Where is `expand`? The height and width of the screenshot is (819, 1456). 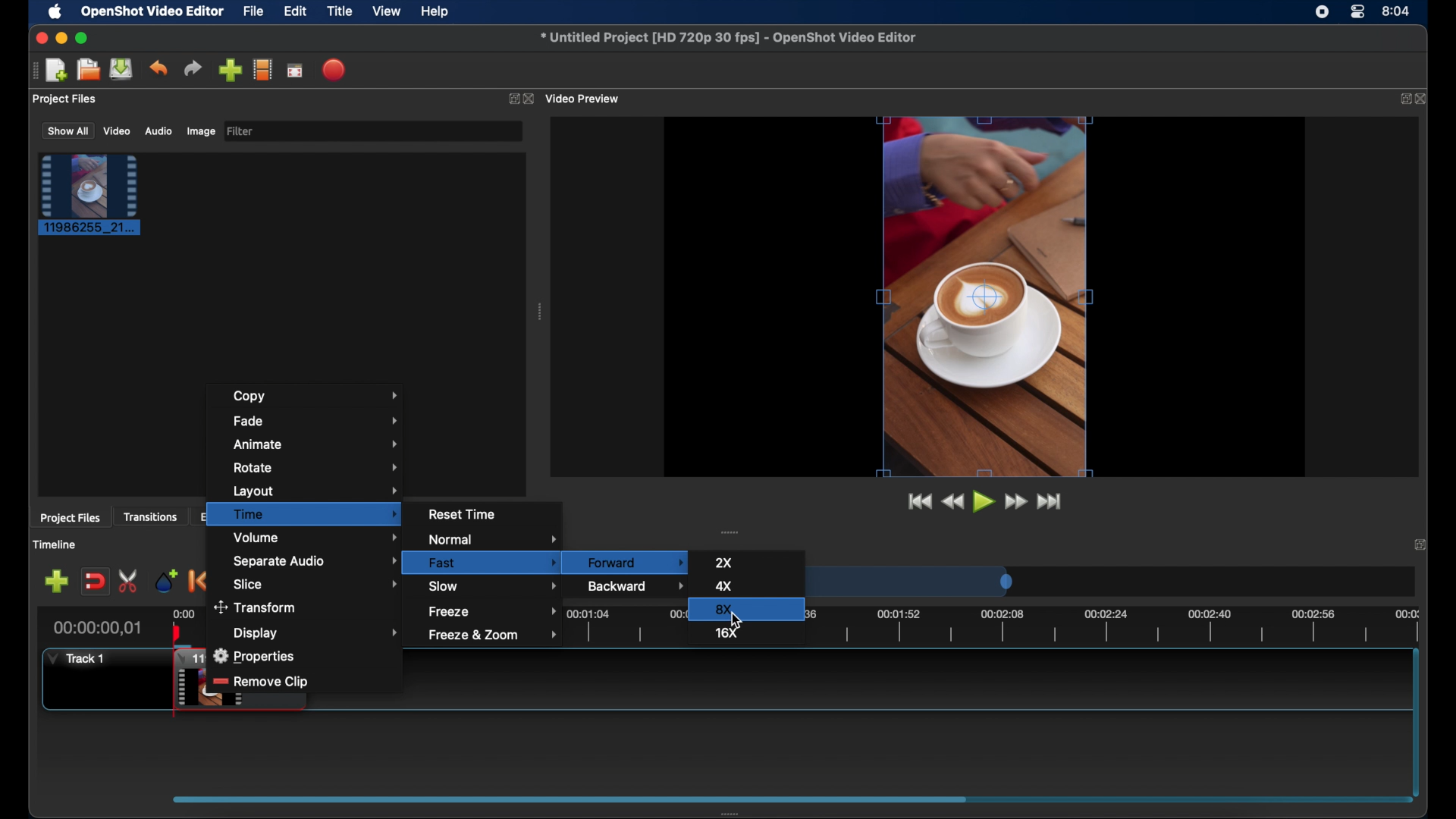 expand is located at coordinates (1401, 99).